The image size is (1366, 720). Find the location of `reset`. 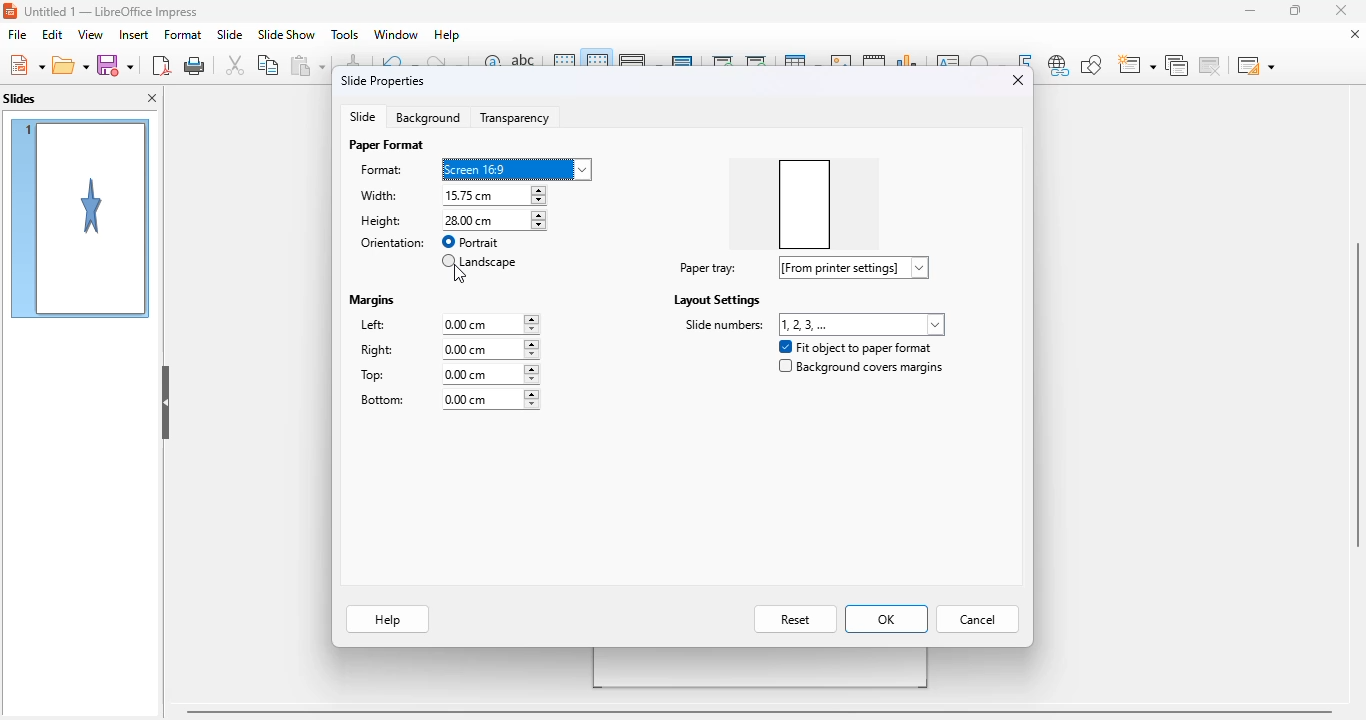

reset is located at coordinates (795, 619).